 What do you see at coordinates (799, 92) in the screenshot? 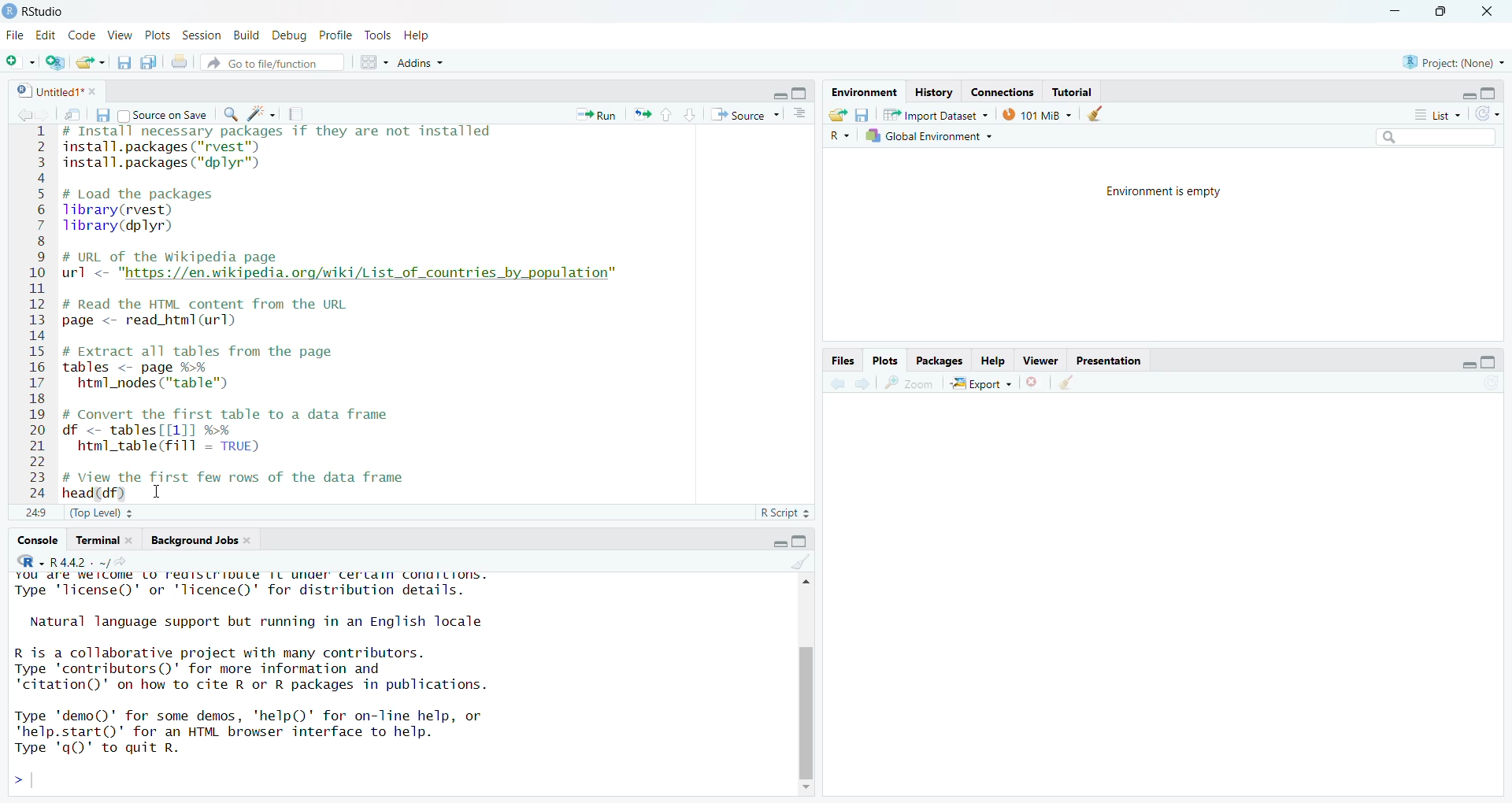
I see `maximize` at bounding box center [799, 92].